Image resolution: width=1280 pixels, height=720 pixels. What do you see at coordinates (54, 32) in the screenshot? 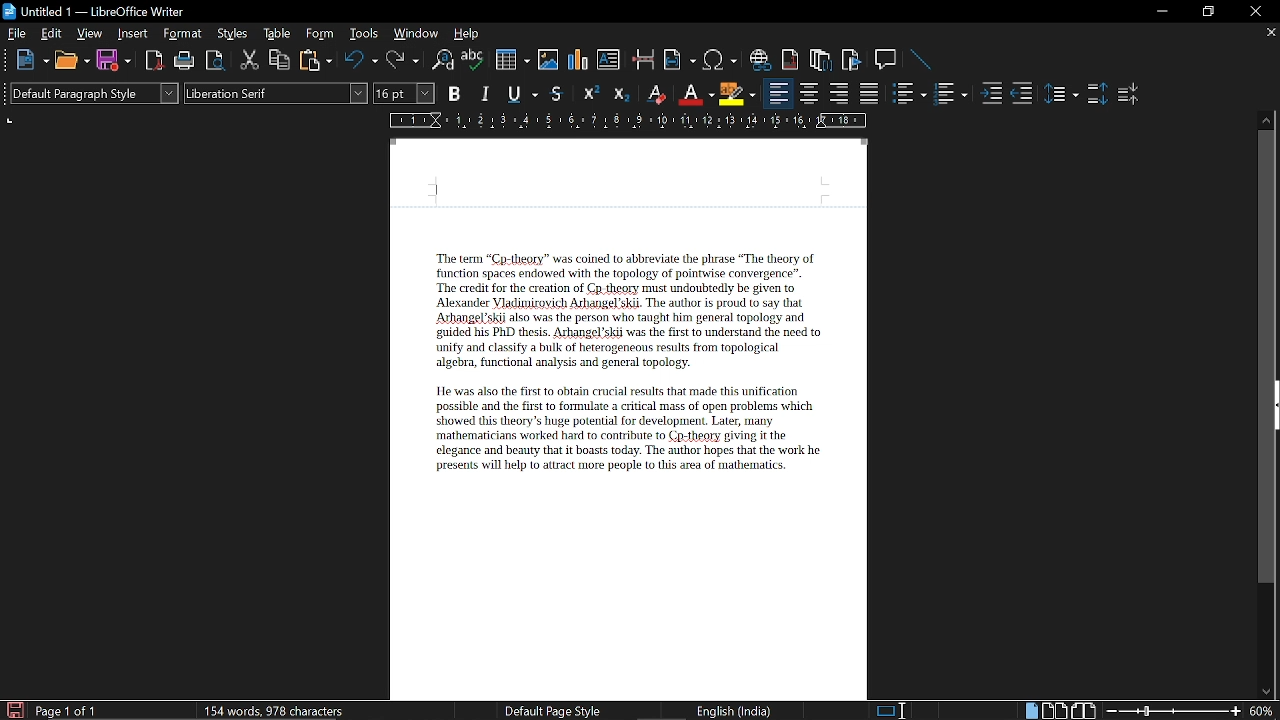
I see `Edit` at bounding box center [54, 32].